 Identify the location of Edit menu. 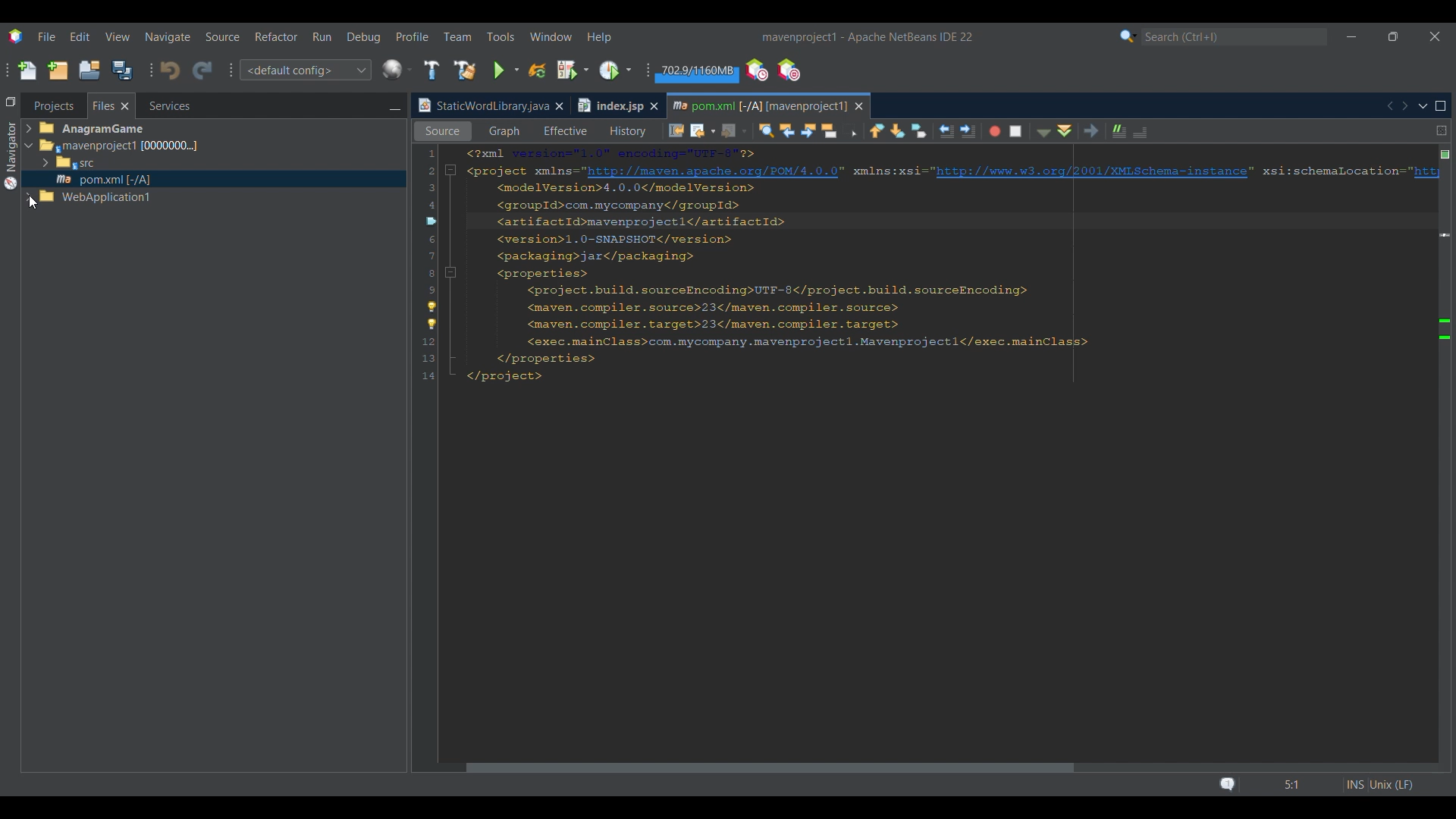
(80, 36).